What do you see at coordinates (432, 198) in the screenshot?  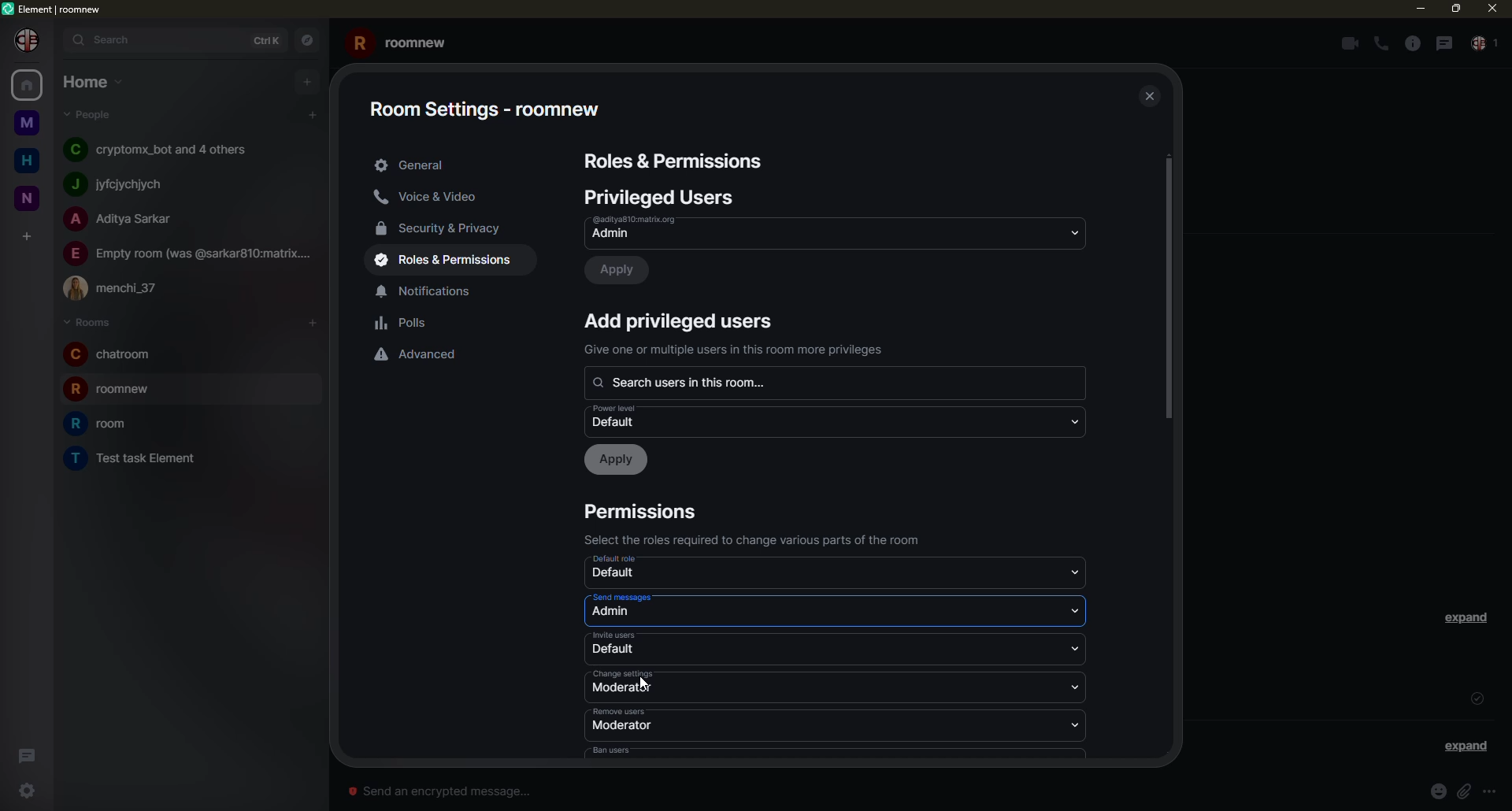 I see `voice` at bounding box center [432, 198].